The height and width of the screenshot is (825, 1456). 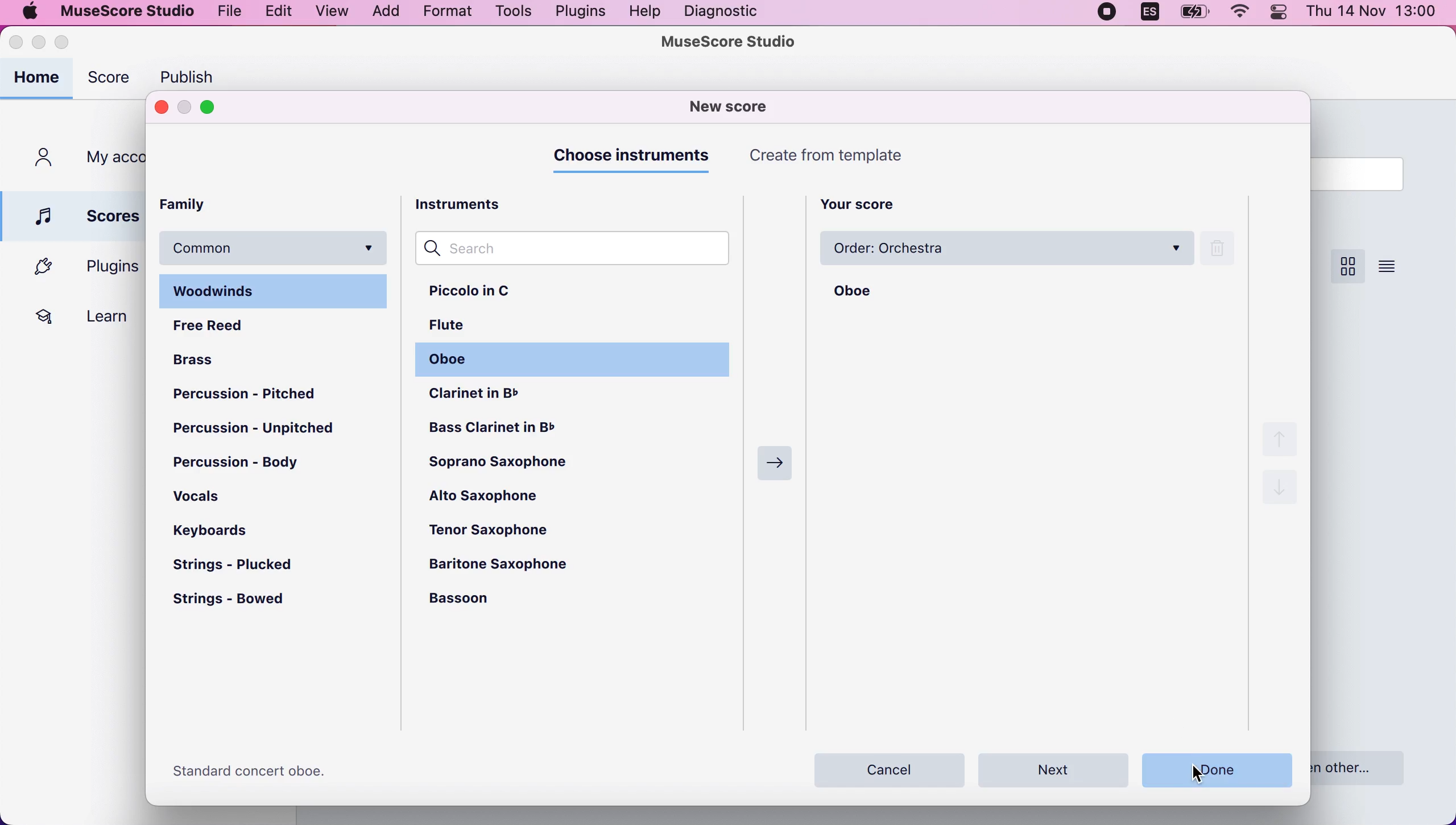 What do you see at coordinates (1281, 494) in the screenshot?
I see `down` at bounding box center [1281, 494].